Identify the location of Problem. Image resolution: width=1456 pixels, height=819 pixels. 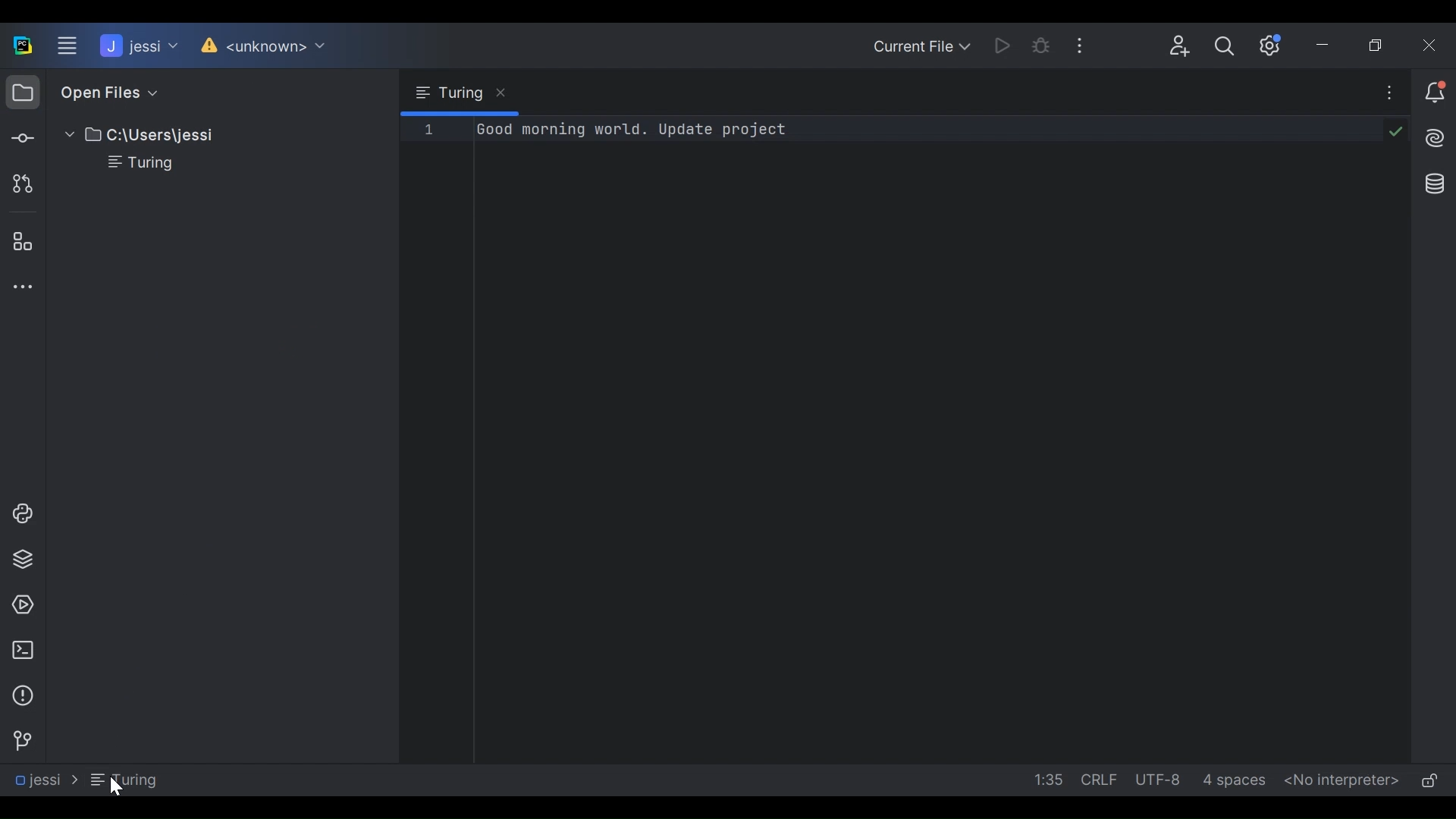
(21, 695).